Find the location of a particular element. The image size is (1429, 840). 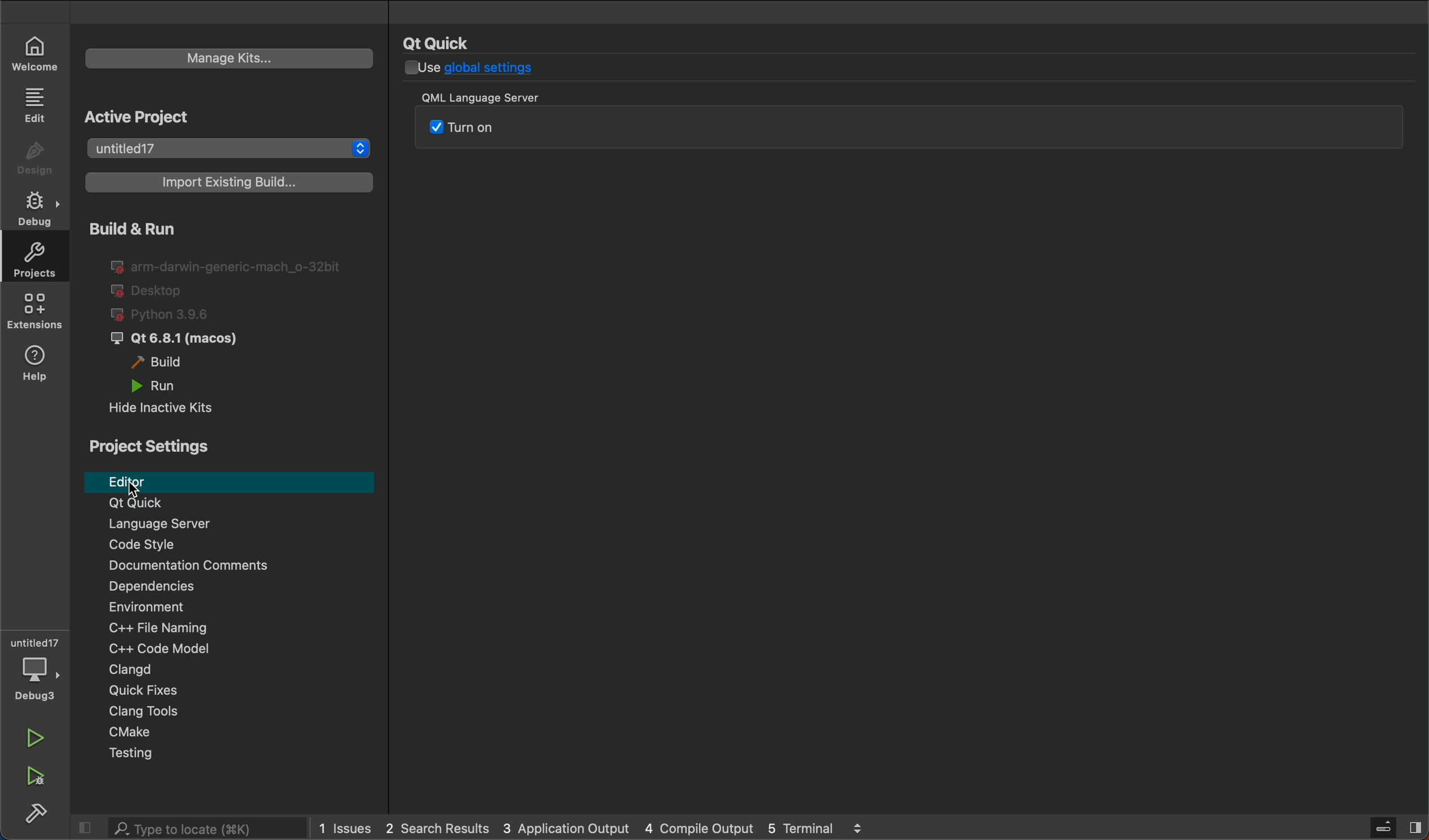

code modal is located at coordinates (241, 650).